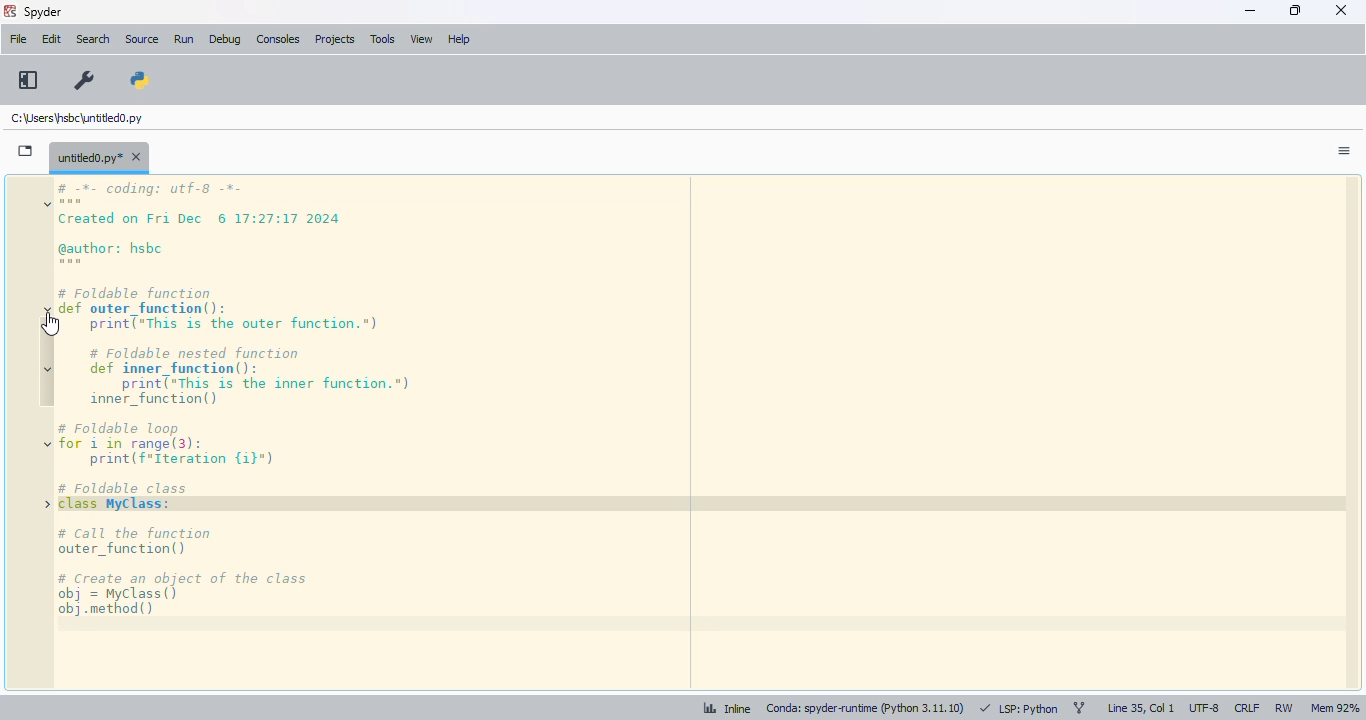 This screenshot has width=1366, height=720. I want to click on options, so click(1344, 151).